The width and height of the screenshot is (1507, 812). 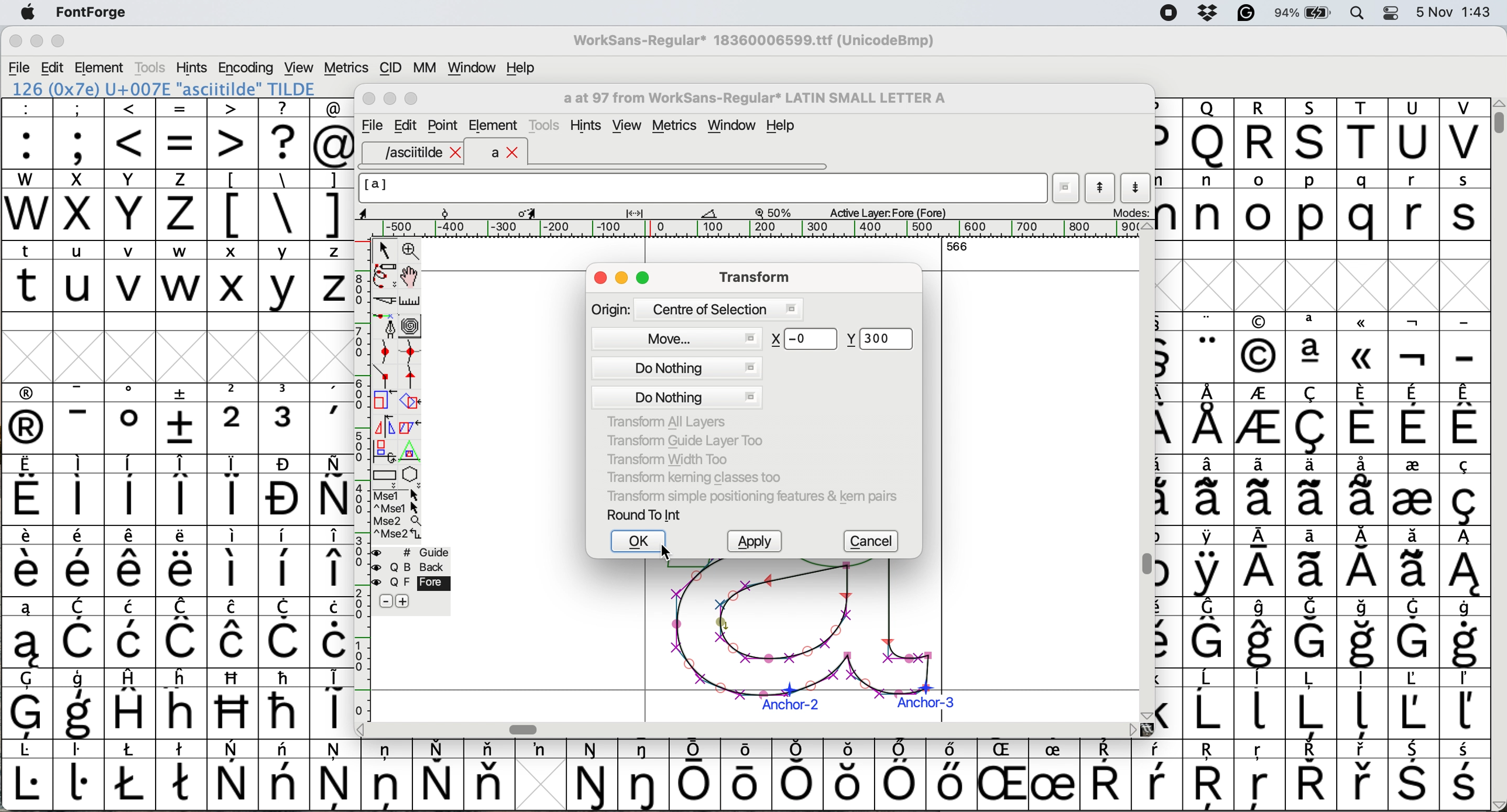 What do you see at coordinates (130, 278) in the screenshot?
I see `v` at bounding box center [130, 278].